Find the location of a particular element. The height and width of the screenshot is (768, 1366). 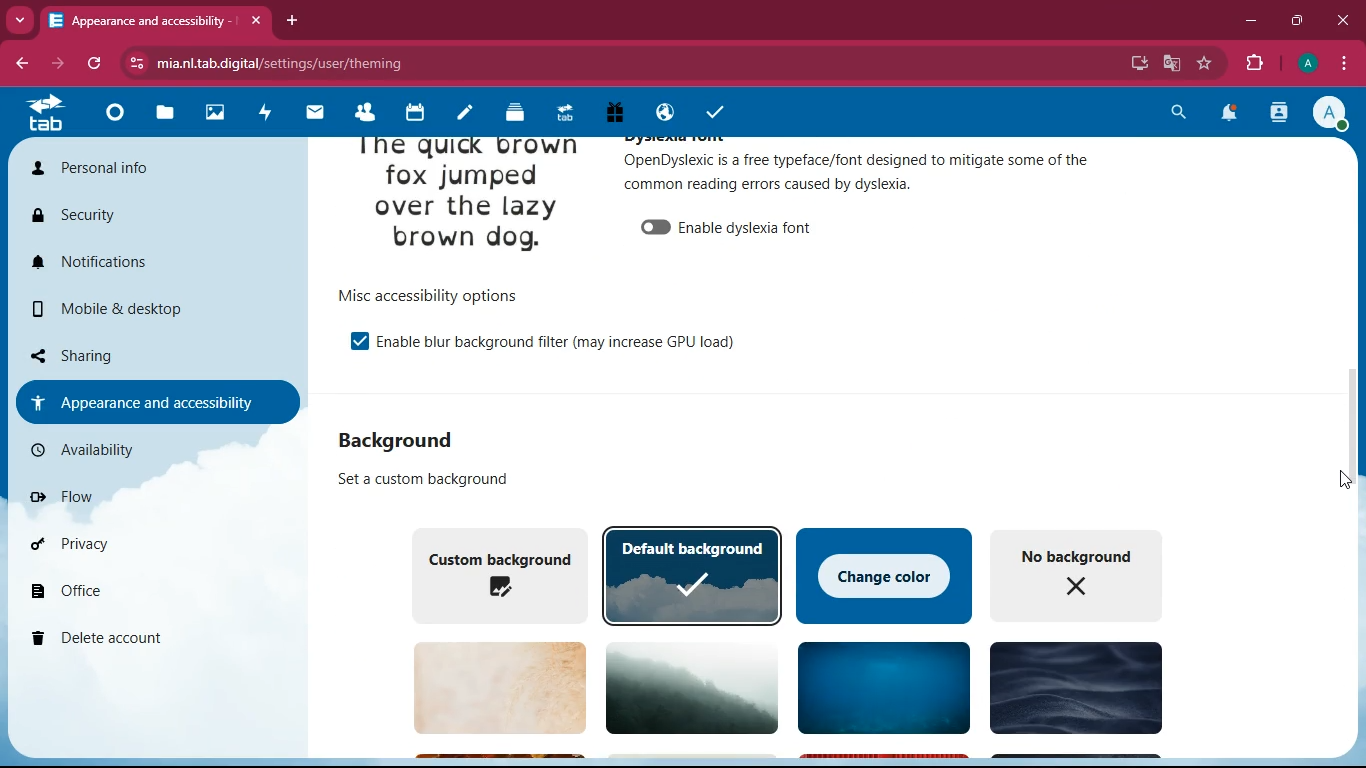

no background is located at coordinates (1077, 574).